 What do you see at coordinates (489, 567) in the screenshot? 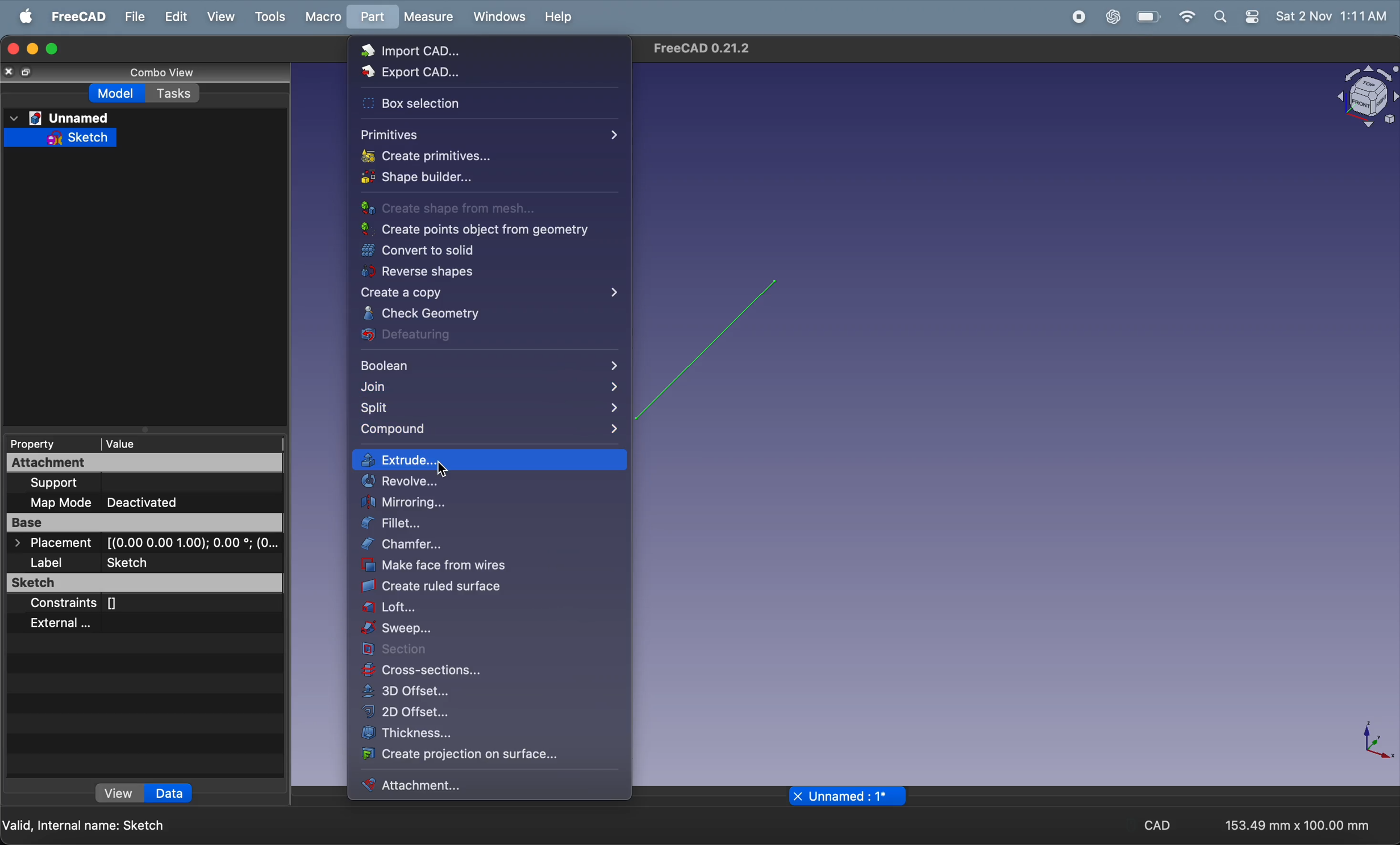
I see `make face from wires` at bounding box center [489, 567].